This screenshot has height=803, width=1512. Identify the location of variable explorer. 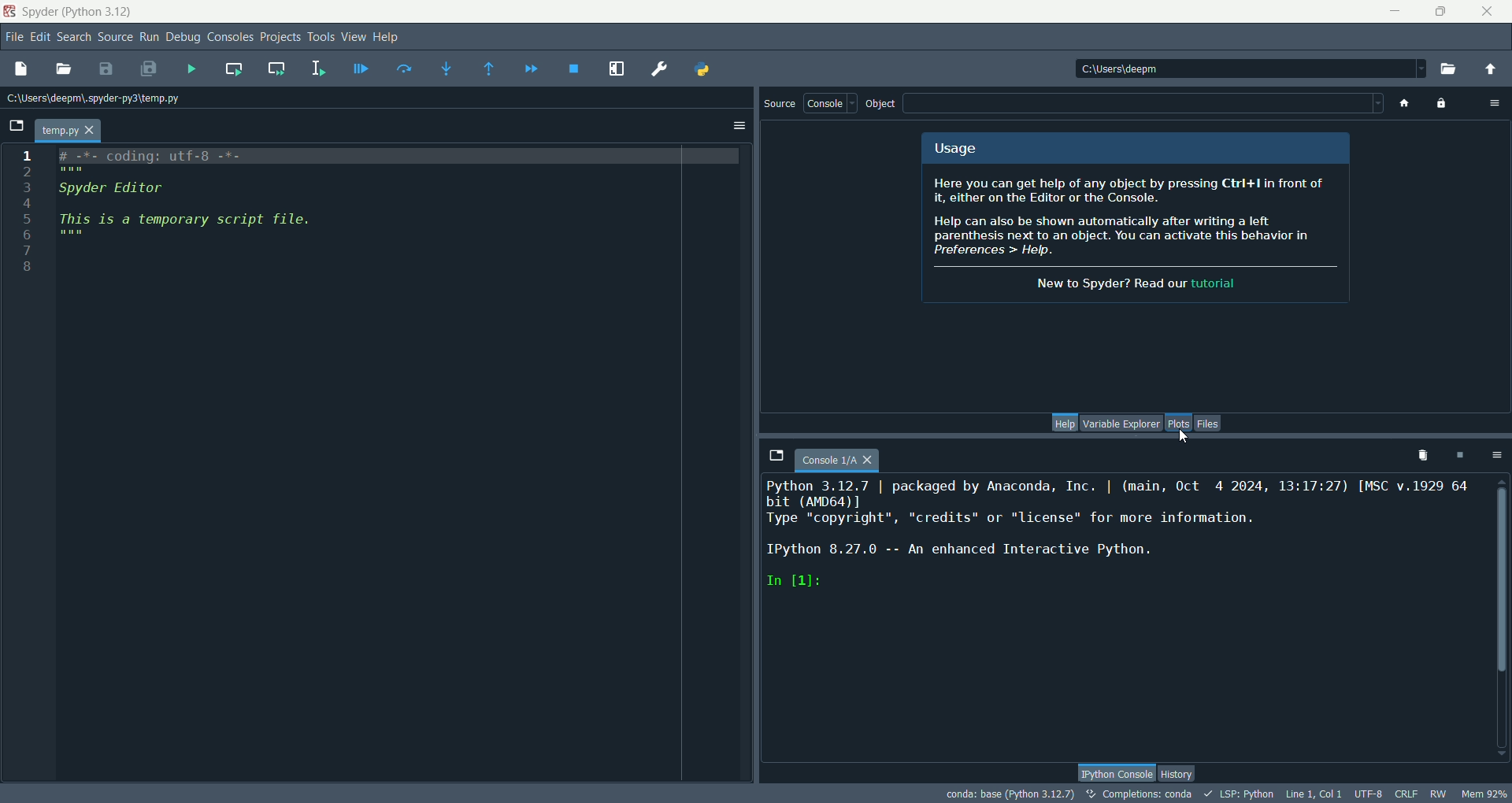
(1119, 424).